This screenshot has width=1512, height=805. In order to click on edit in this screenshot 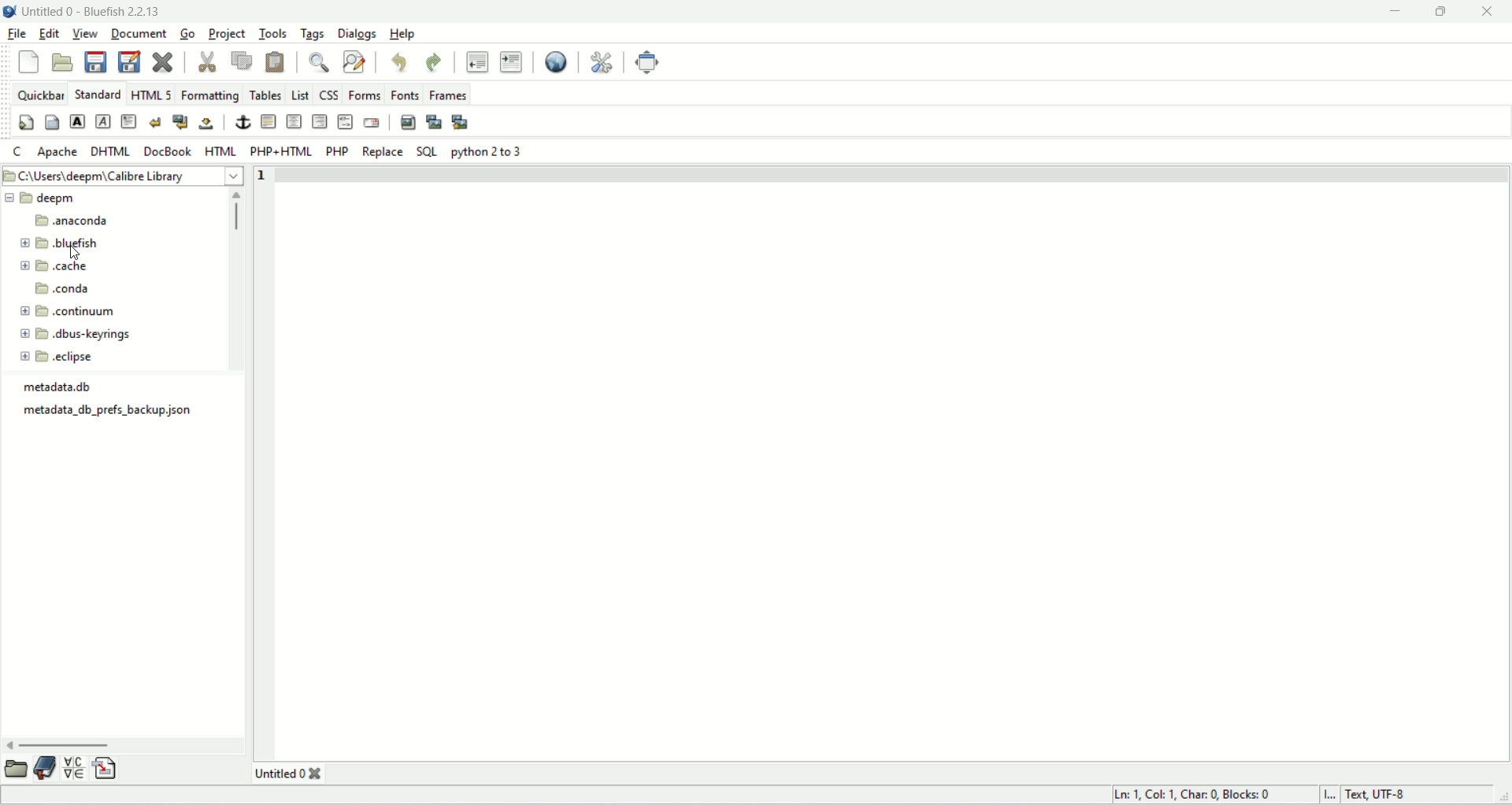, I will do `click(48, 35)`.